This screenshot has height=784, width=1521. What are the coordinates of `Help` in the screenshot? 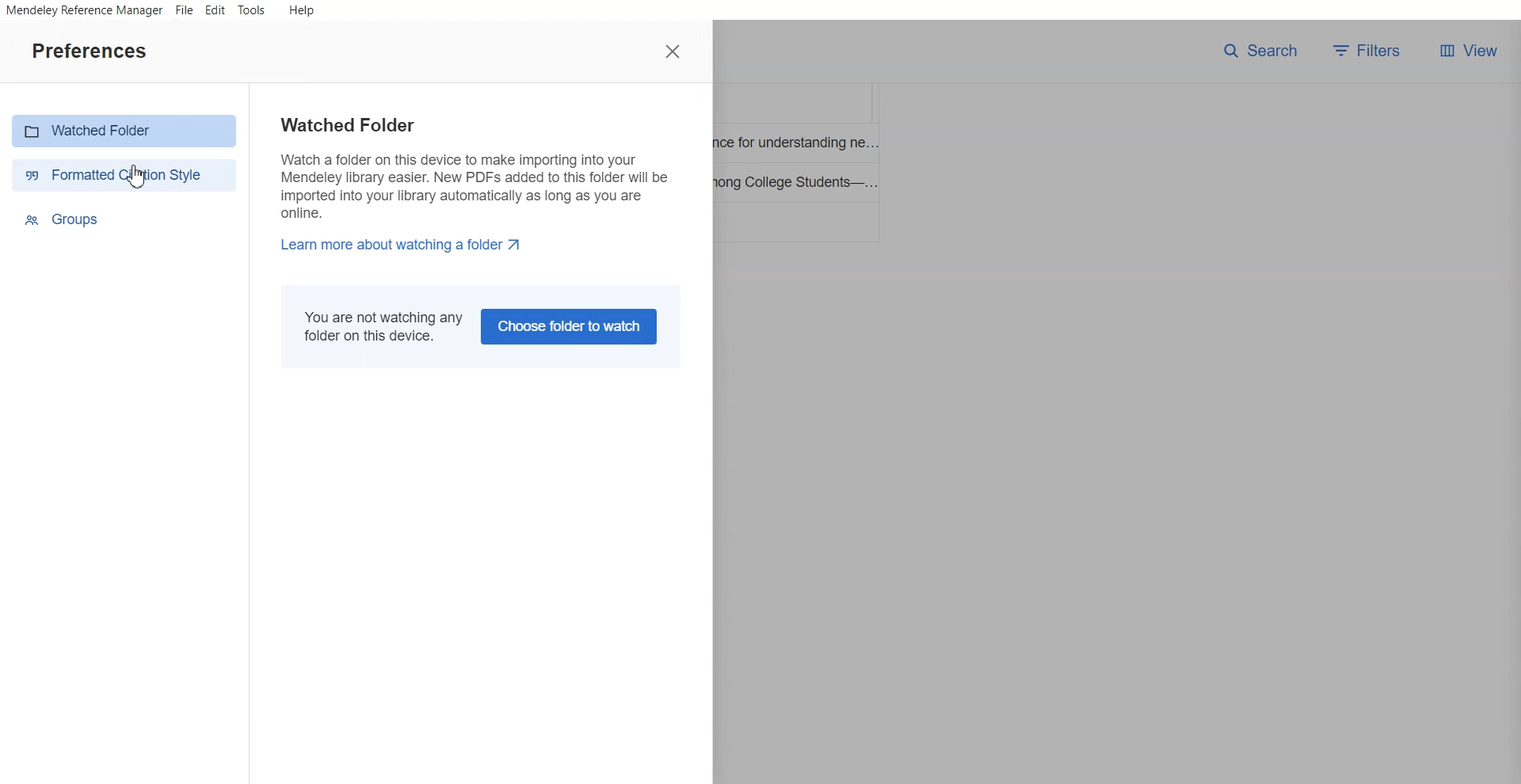 It's located at (300, 10).